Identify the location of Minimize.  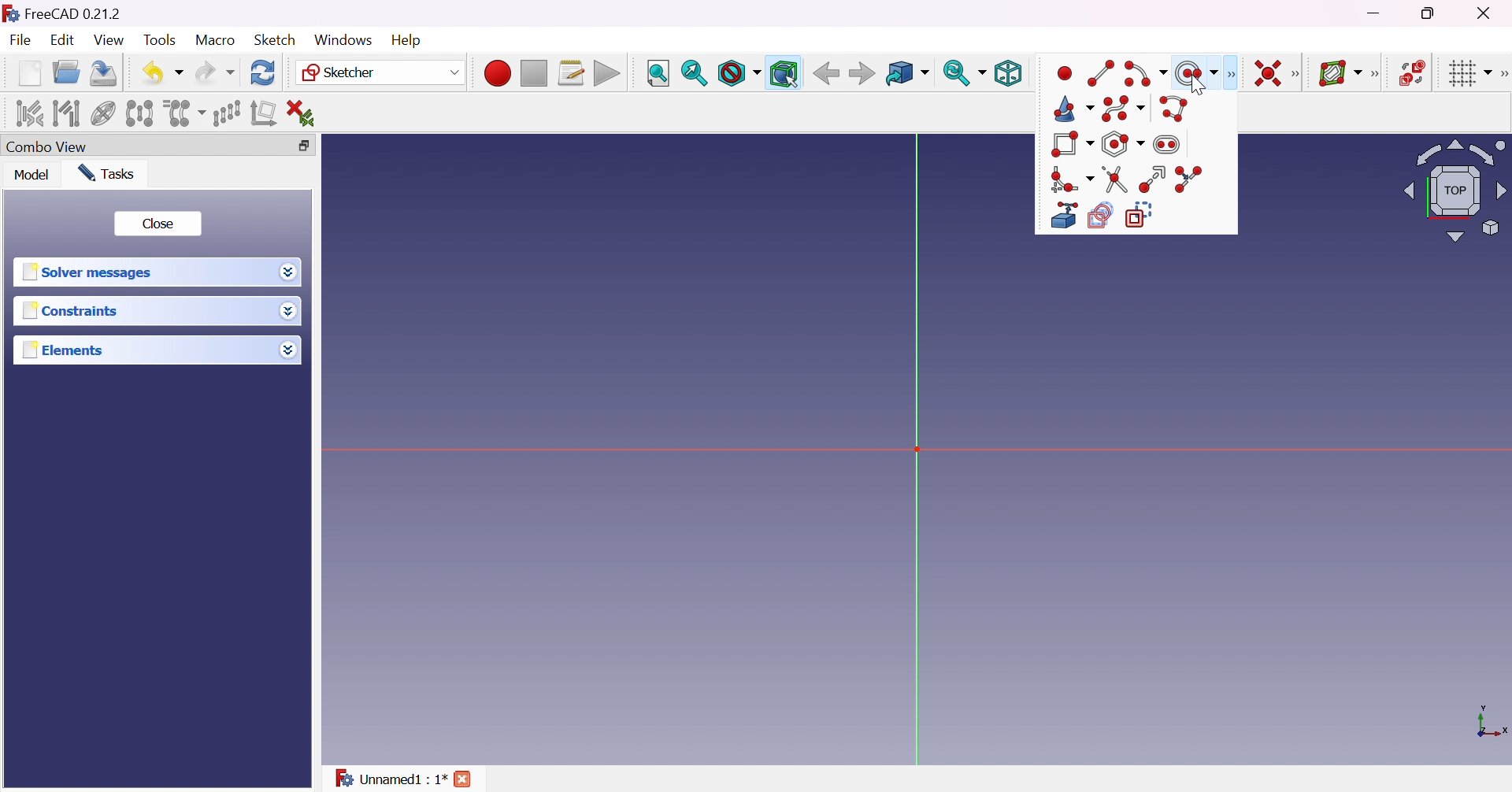
(1377, 13).